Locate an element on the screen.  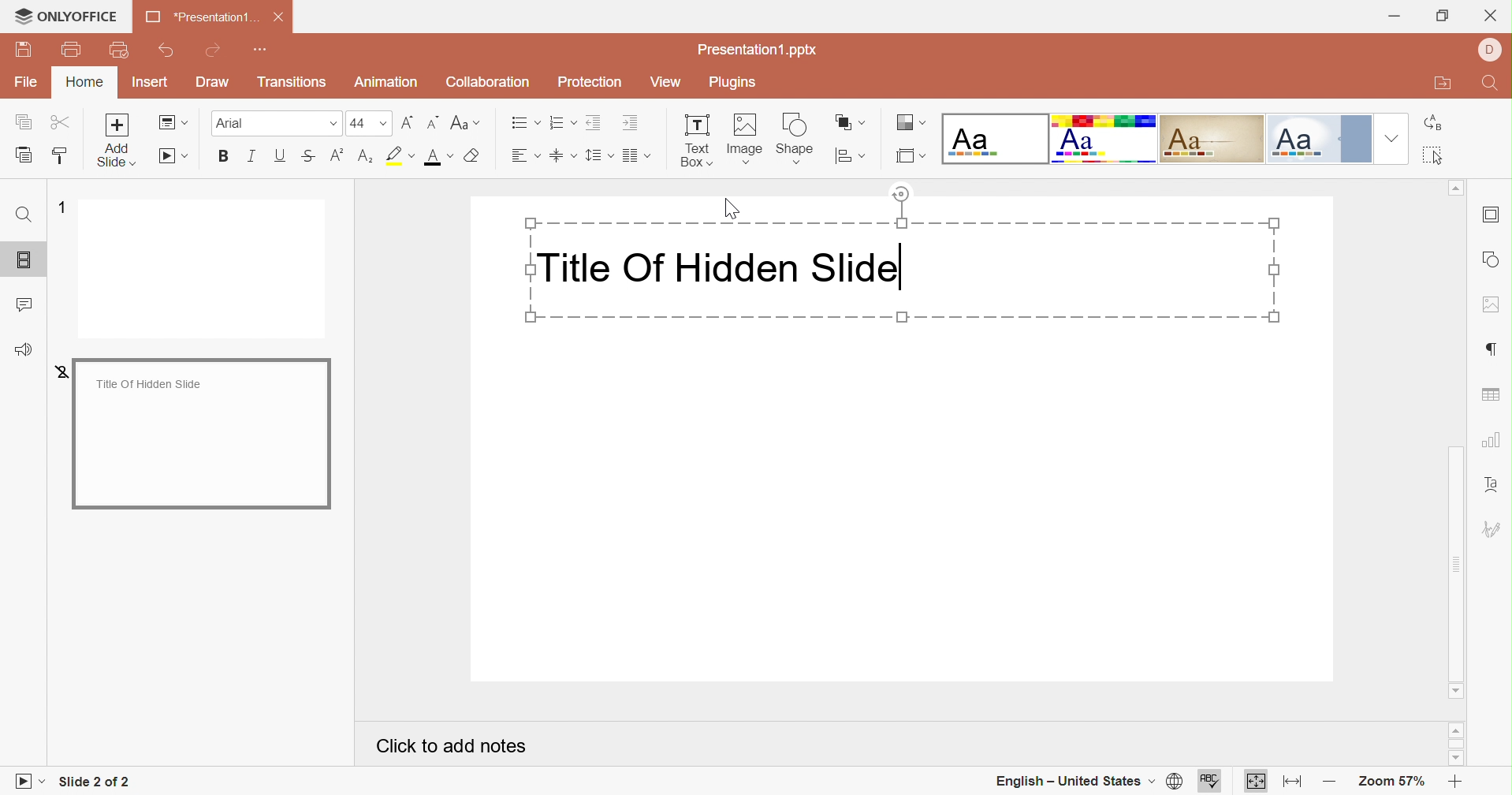
Cut is located at coordinates (65, 122).